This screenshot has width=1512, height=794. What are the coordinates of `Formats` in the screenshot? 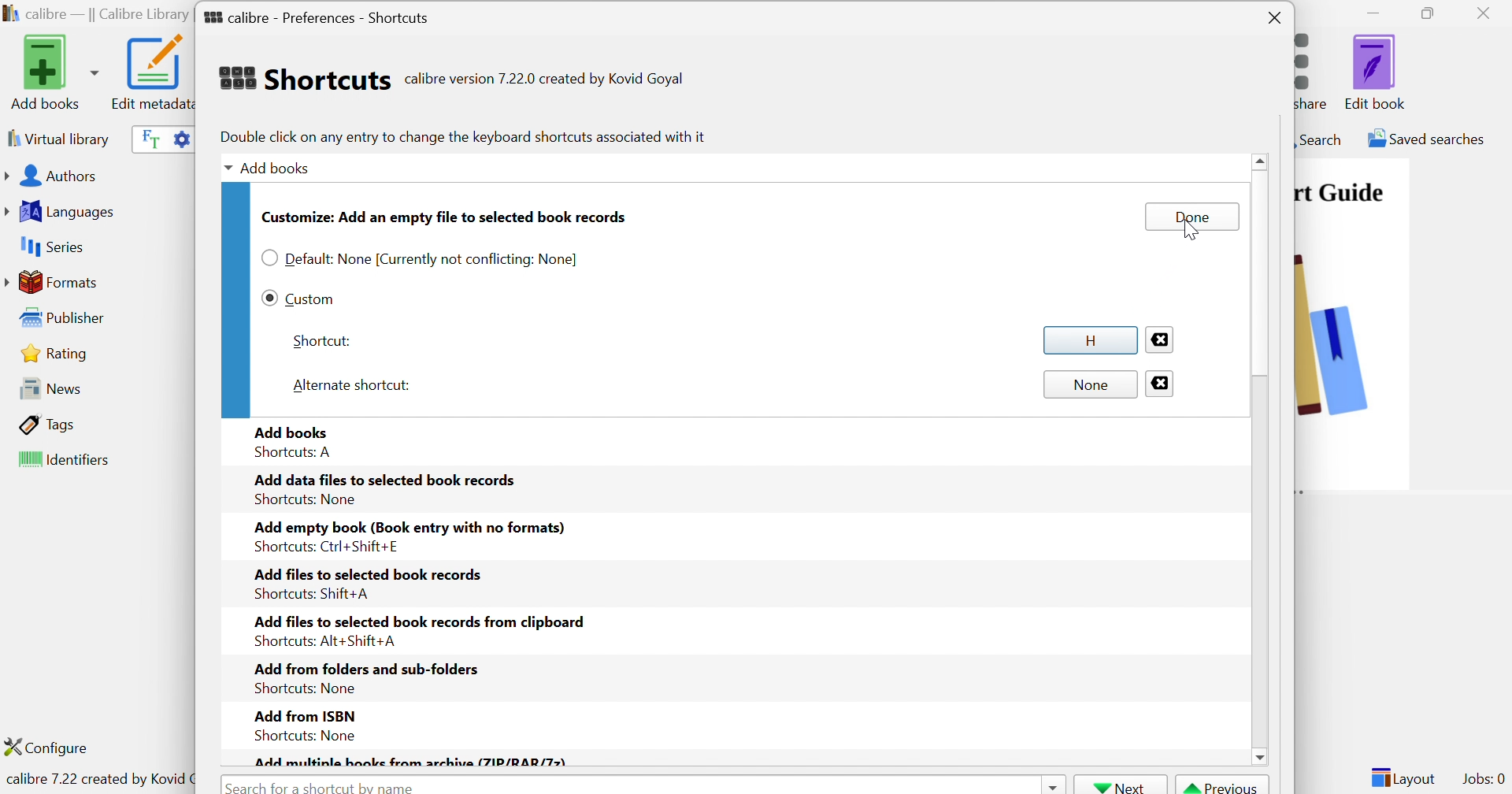 It's located at (54, 282).